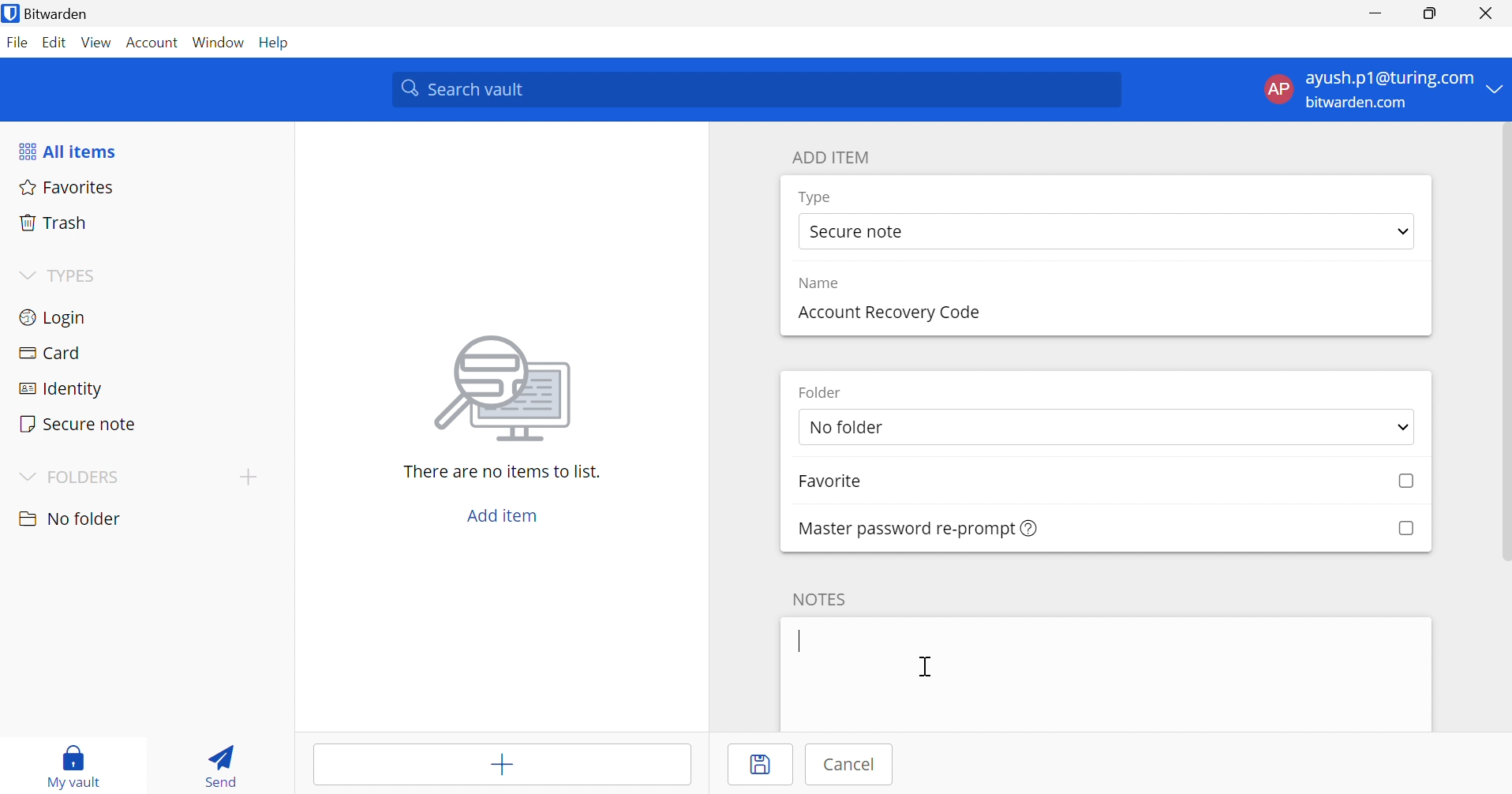  I want to click on ADDITEM, so click(835, 157).